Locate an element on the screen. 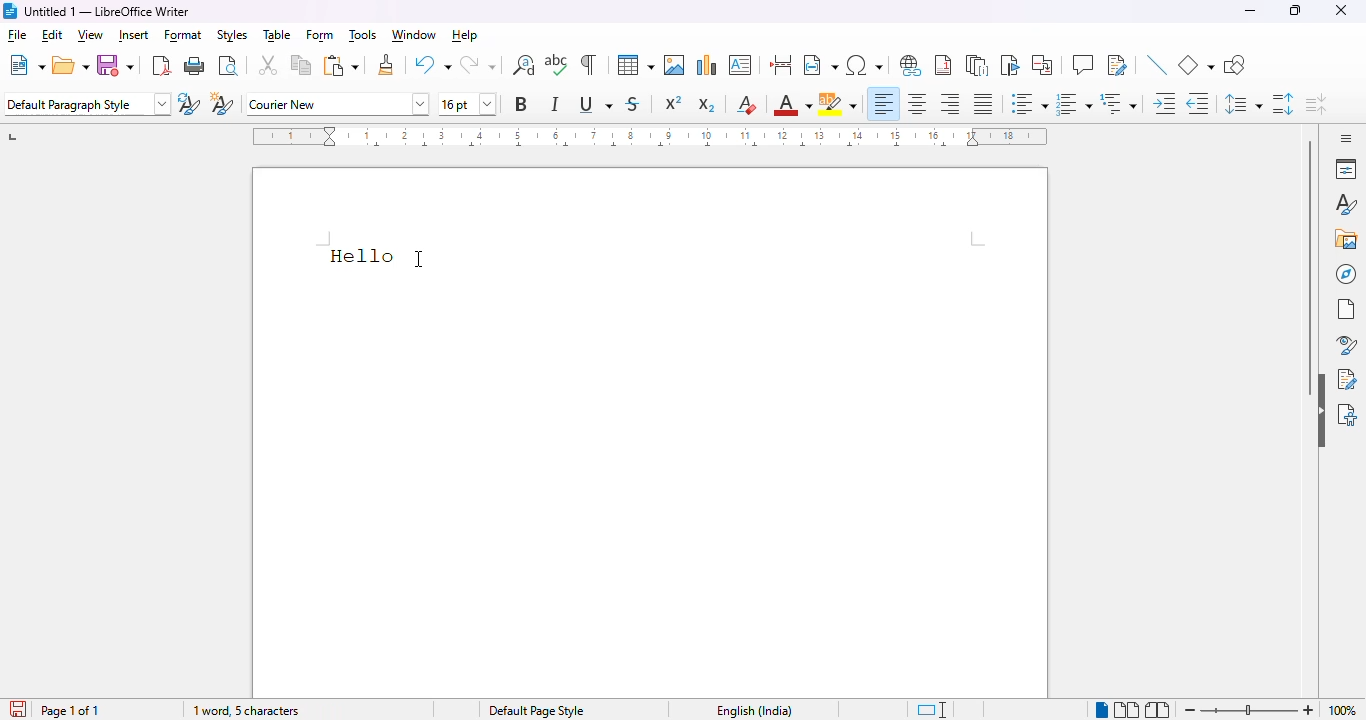 The image size is (1366, 720). text language is located at coordinates (750, 710).